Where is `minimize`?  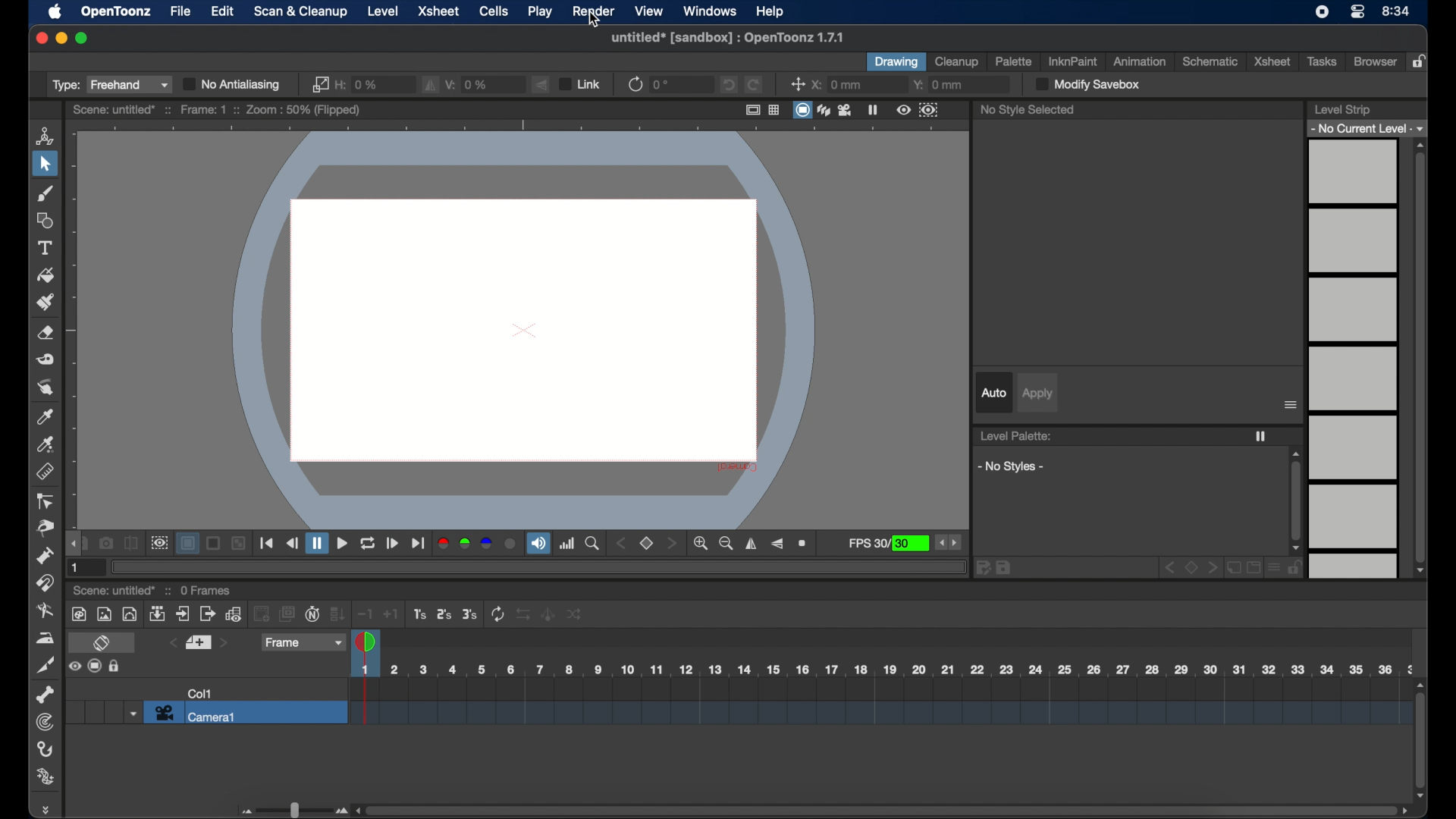 minimize is located at coordinates (60, 38).